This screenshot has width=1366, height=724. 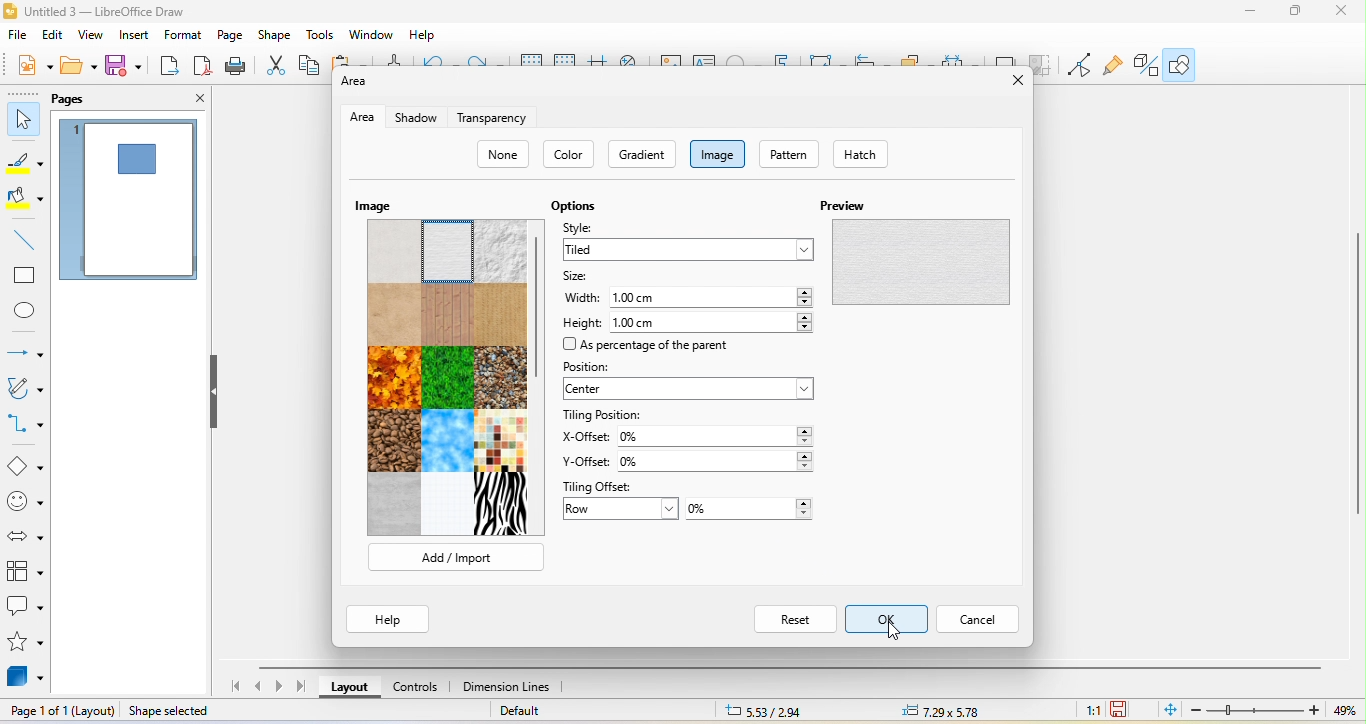 What do you see at coordinates (27, 676) in the screenshot?
I see `3d object` at bounding box center [27, 676].